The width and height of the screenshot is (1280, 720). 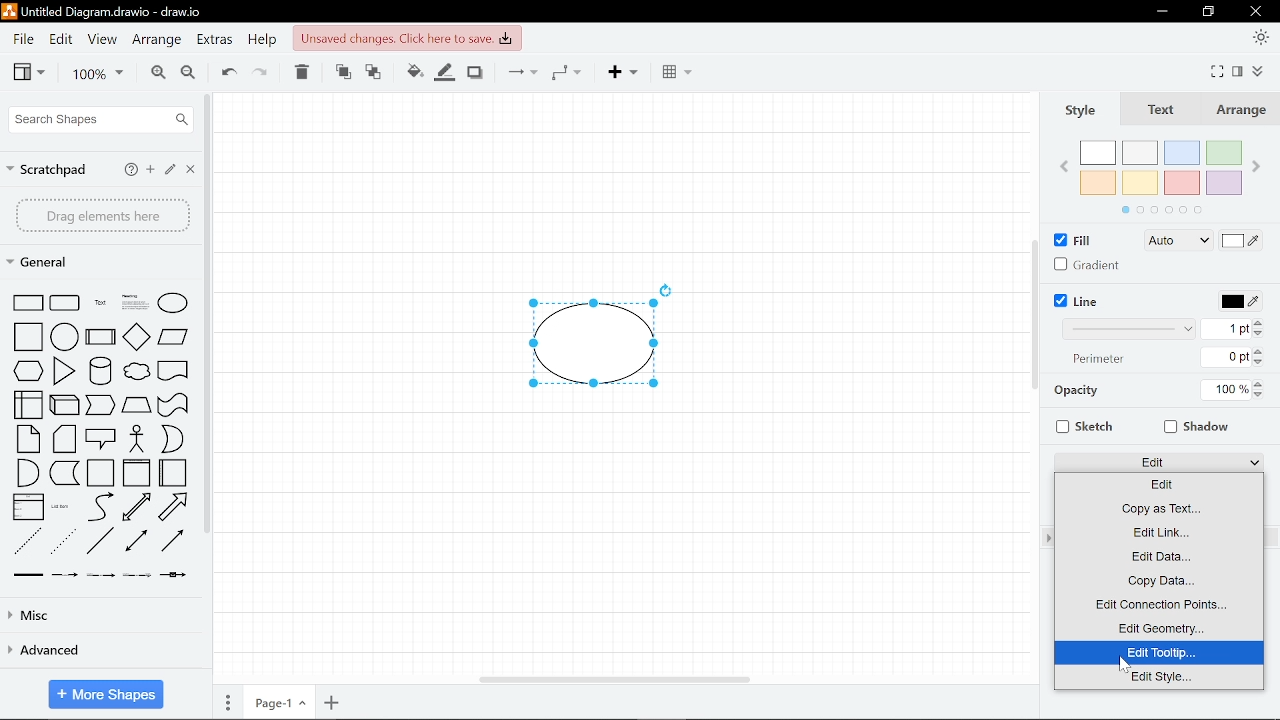 What do you see at coordinates (215, 41) in the screenshot?
I see `Extras` at bounding box center [215, 41].